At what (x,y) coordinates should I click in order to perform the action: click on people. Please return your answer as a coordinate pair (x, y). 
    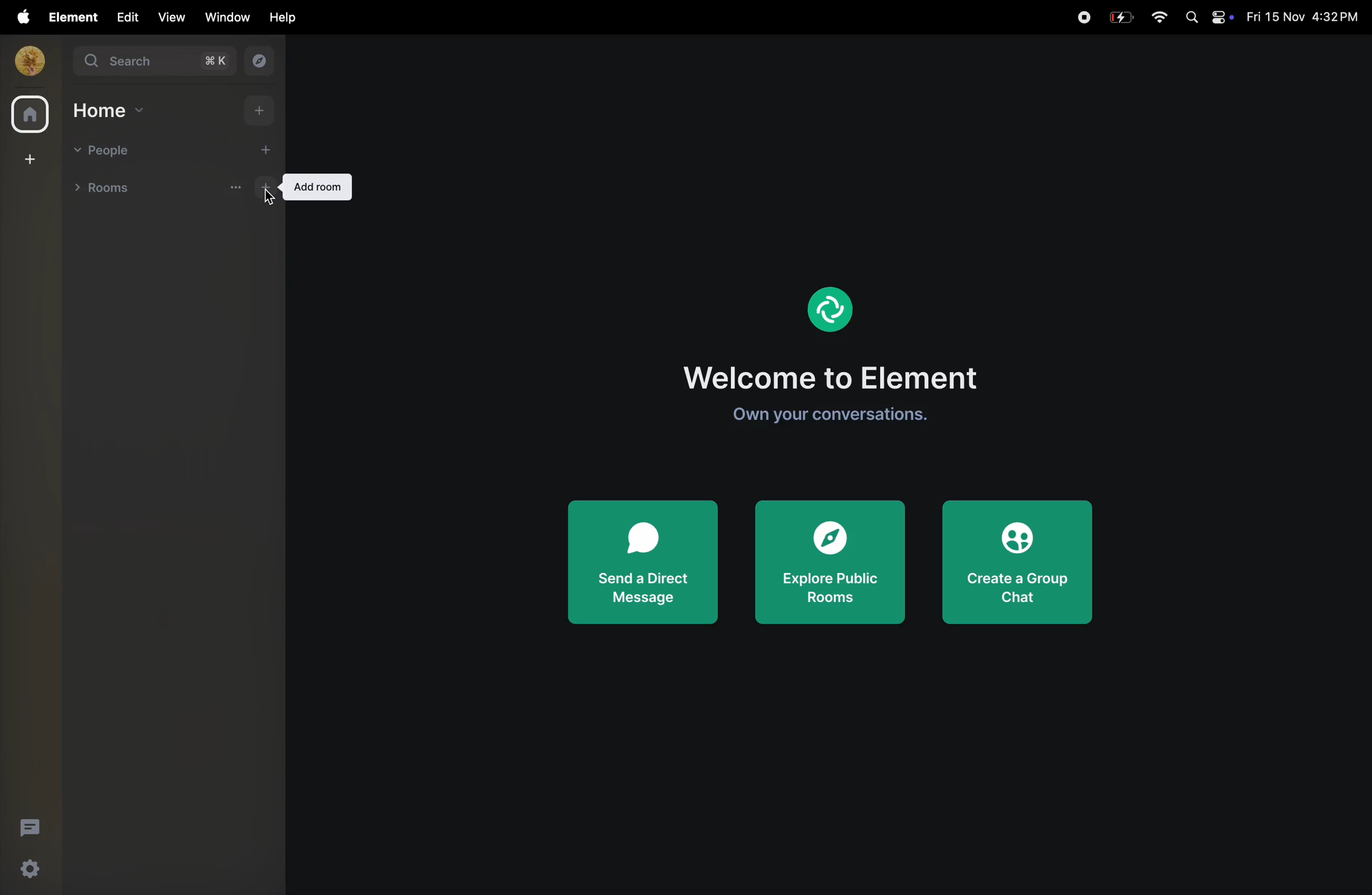
    Looking at the image, I should click on (105, 149).